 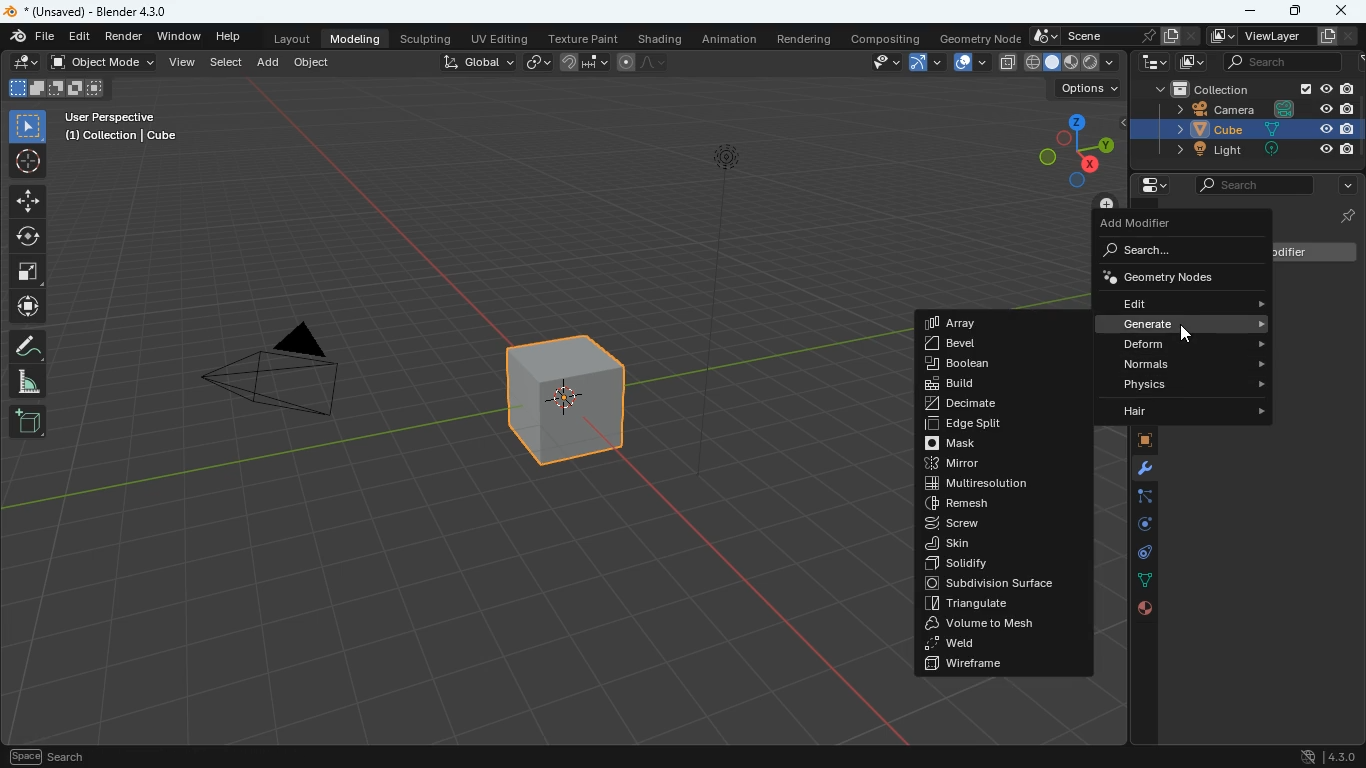 I want to click on cube, so click(x=570, y=413).